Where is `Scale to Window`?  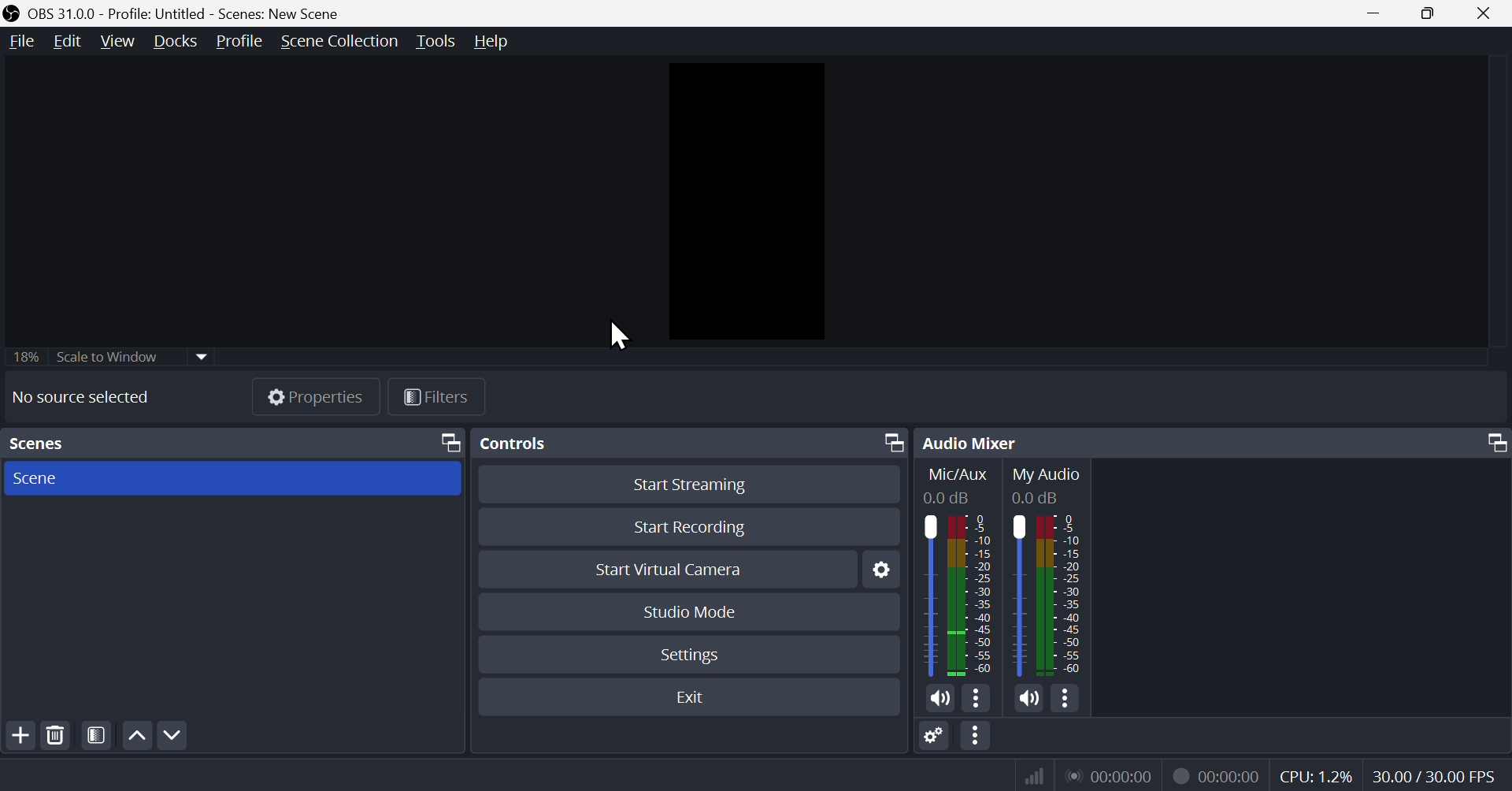 Scale to Window is located at coordinates (132, 355).